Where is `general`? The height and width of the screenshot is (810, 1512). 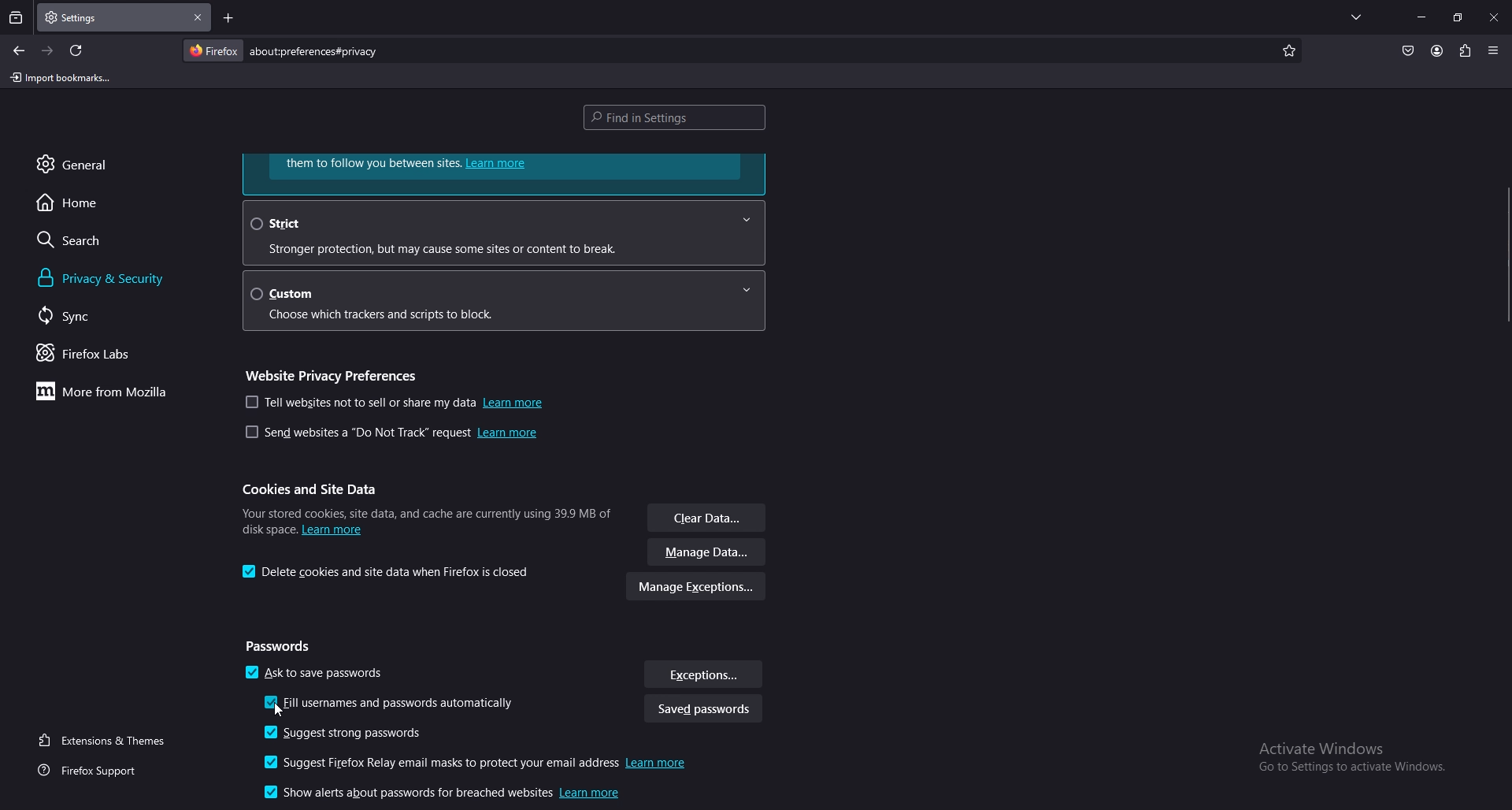 general is located at coordinates (91, 164).